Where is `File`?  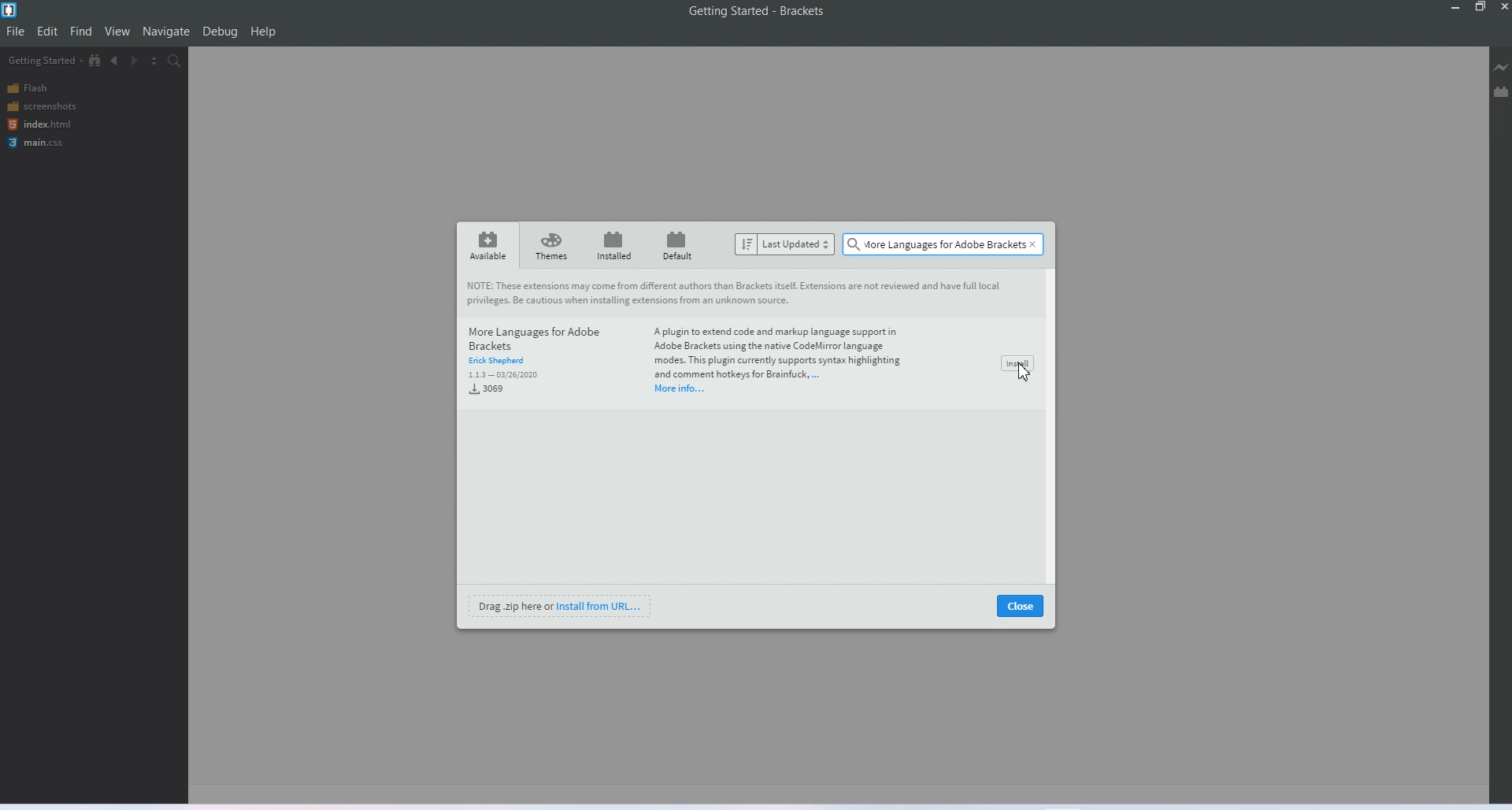 File is located at coordinates (15, 32).